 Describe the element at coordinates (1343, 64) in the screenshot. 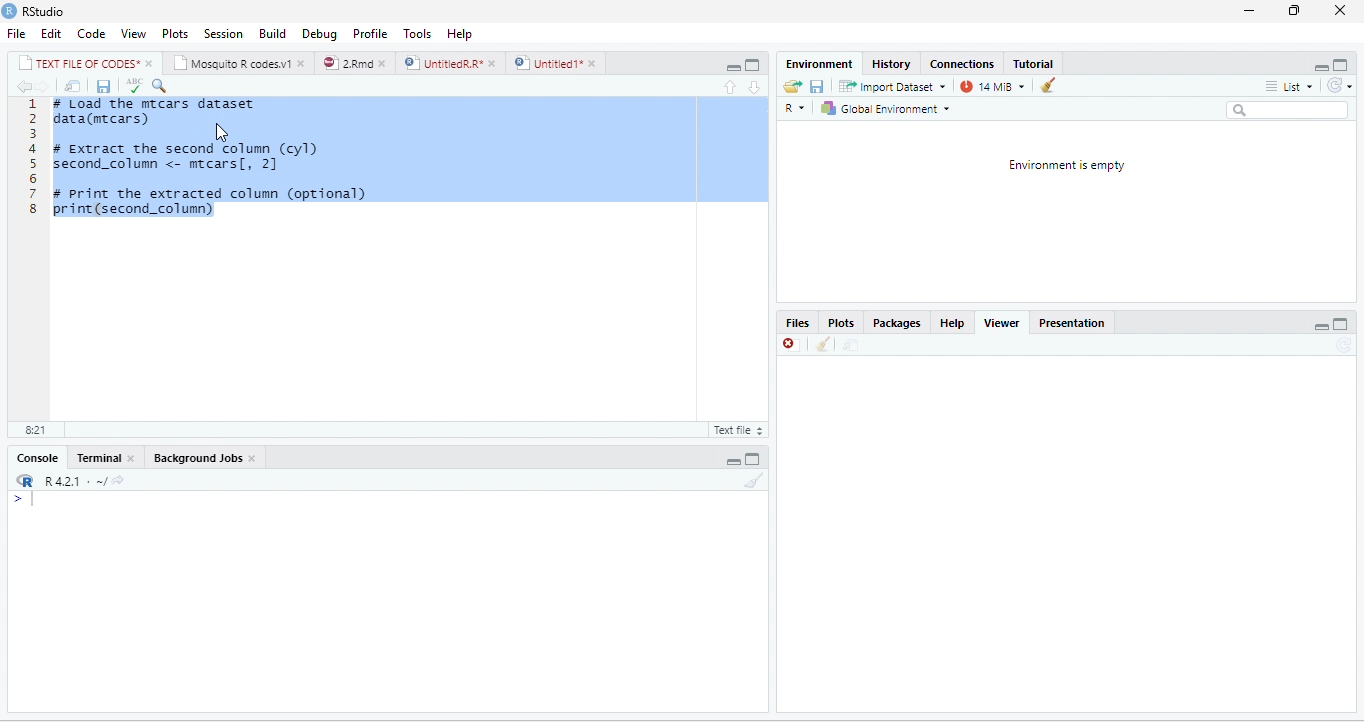

I see `maximize` at that location.